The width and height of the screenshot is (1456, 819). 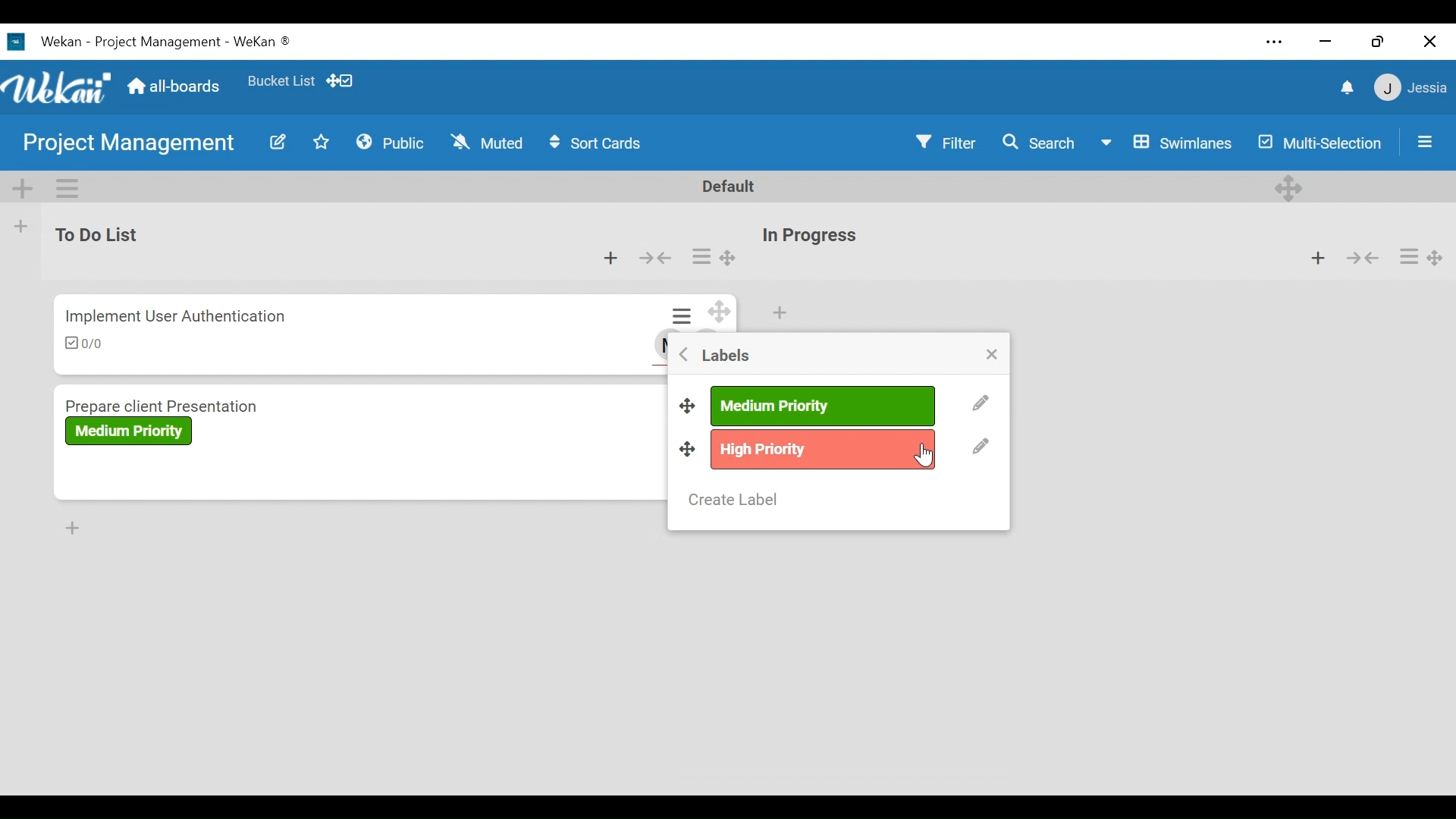 I want to click on Wekan Logo, so click(x=56, y=84).